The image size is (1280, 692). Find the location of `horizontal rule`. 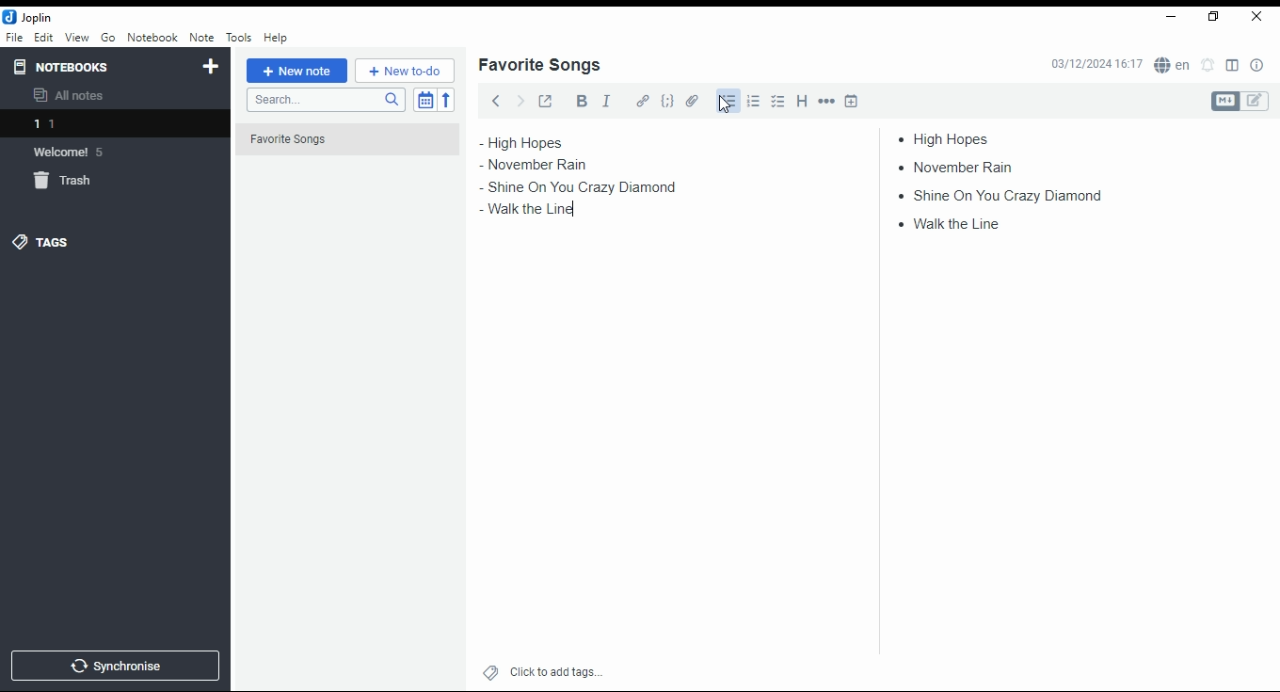

horizontal rule is located at coordinates (828, 100).